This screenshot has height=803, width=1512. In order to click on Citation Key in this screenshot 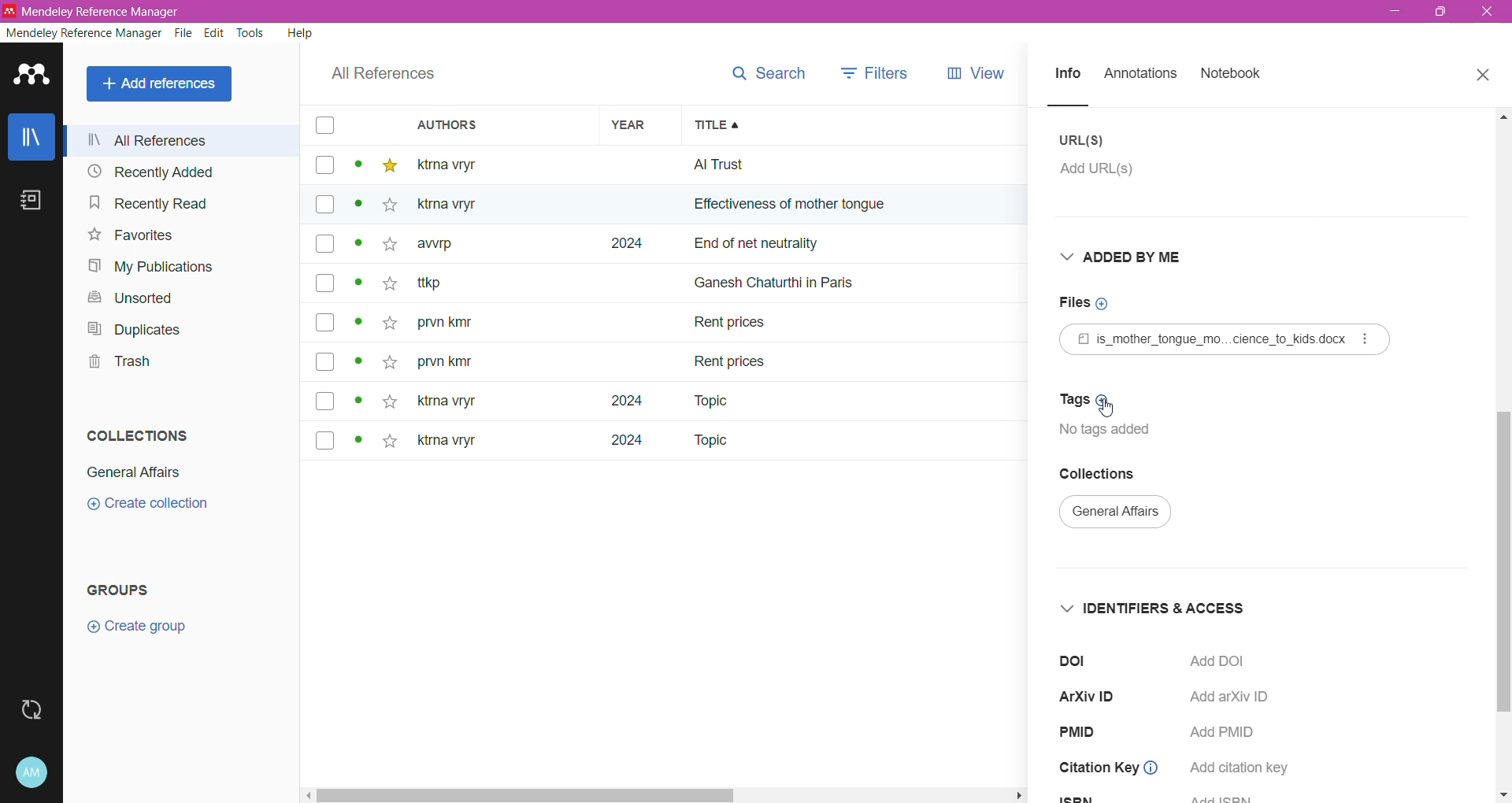, I will do `click(1112, 768)`.